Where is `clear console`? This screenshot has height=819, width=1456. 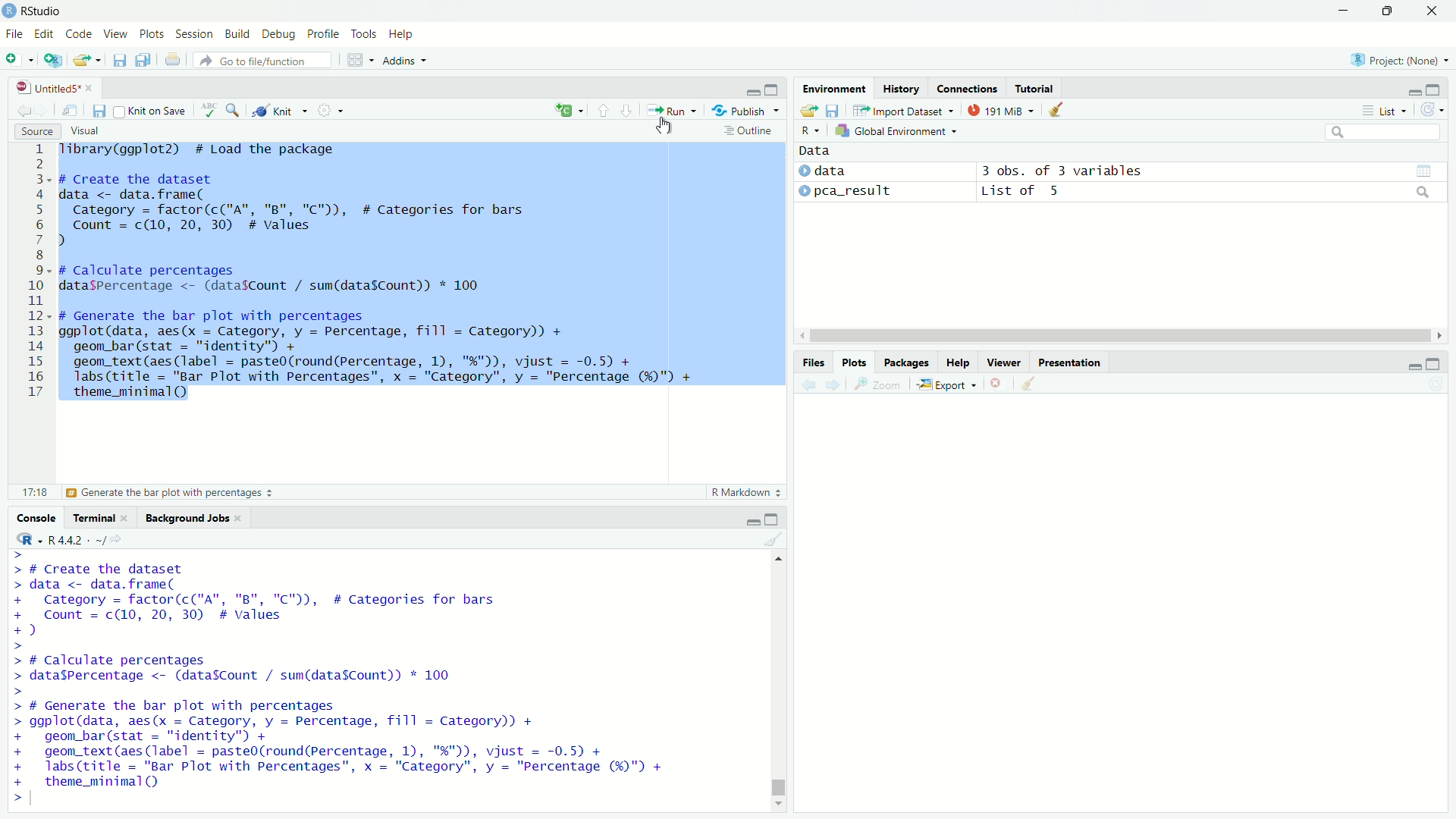
clear console is located at coordinates (776, 540).